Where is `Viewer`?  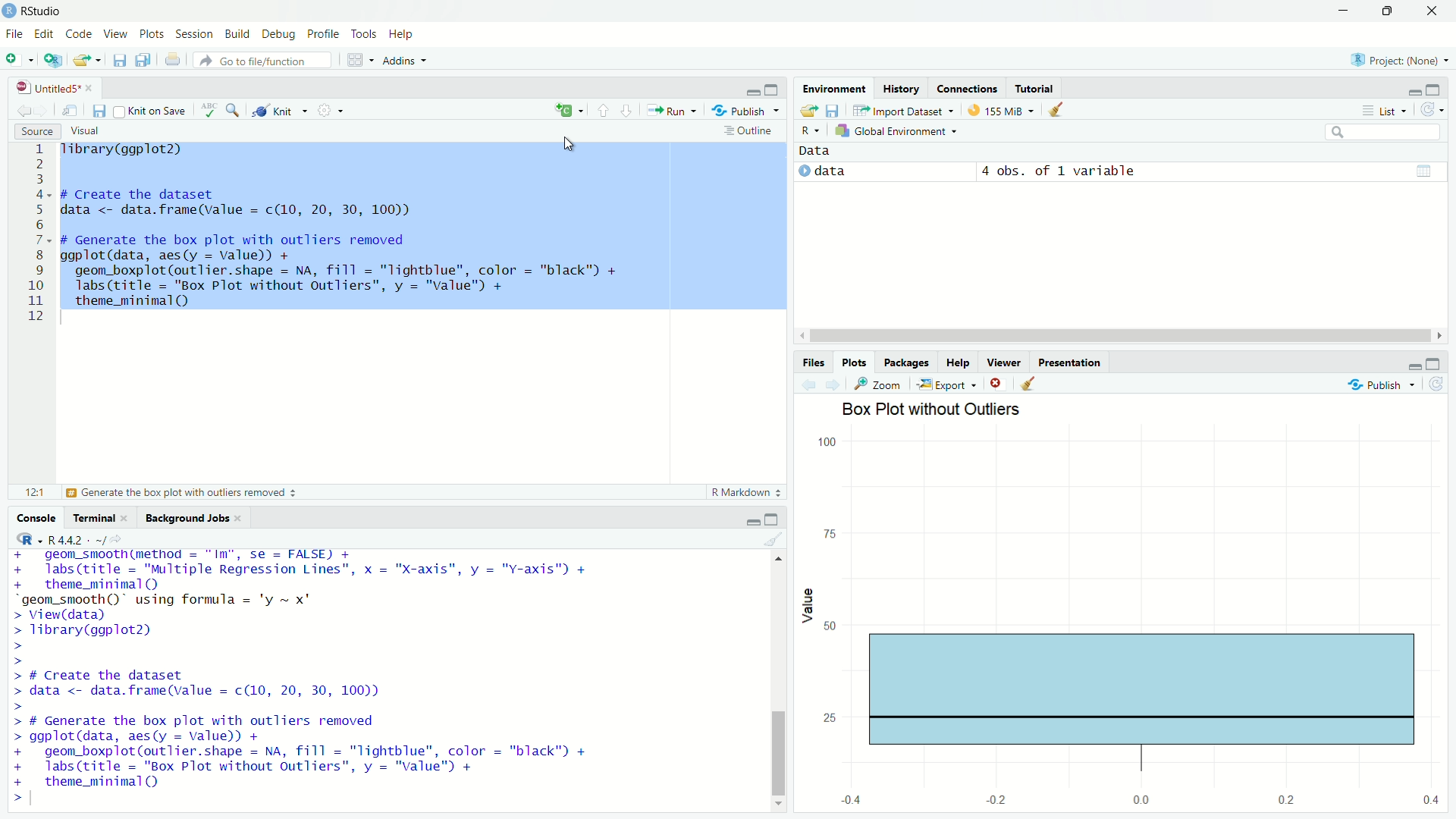
Viewer is located at coordinates (1003, 361).